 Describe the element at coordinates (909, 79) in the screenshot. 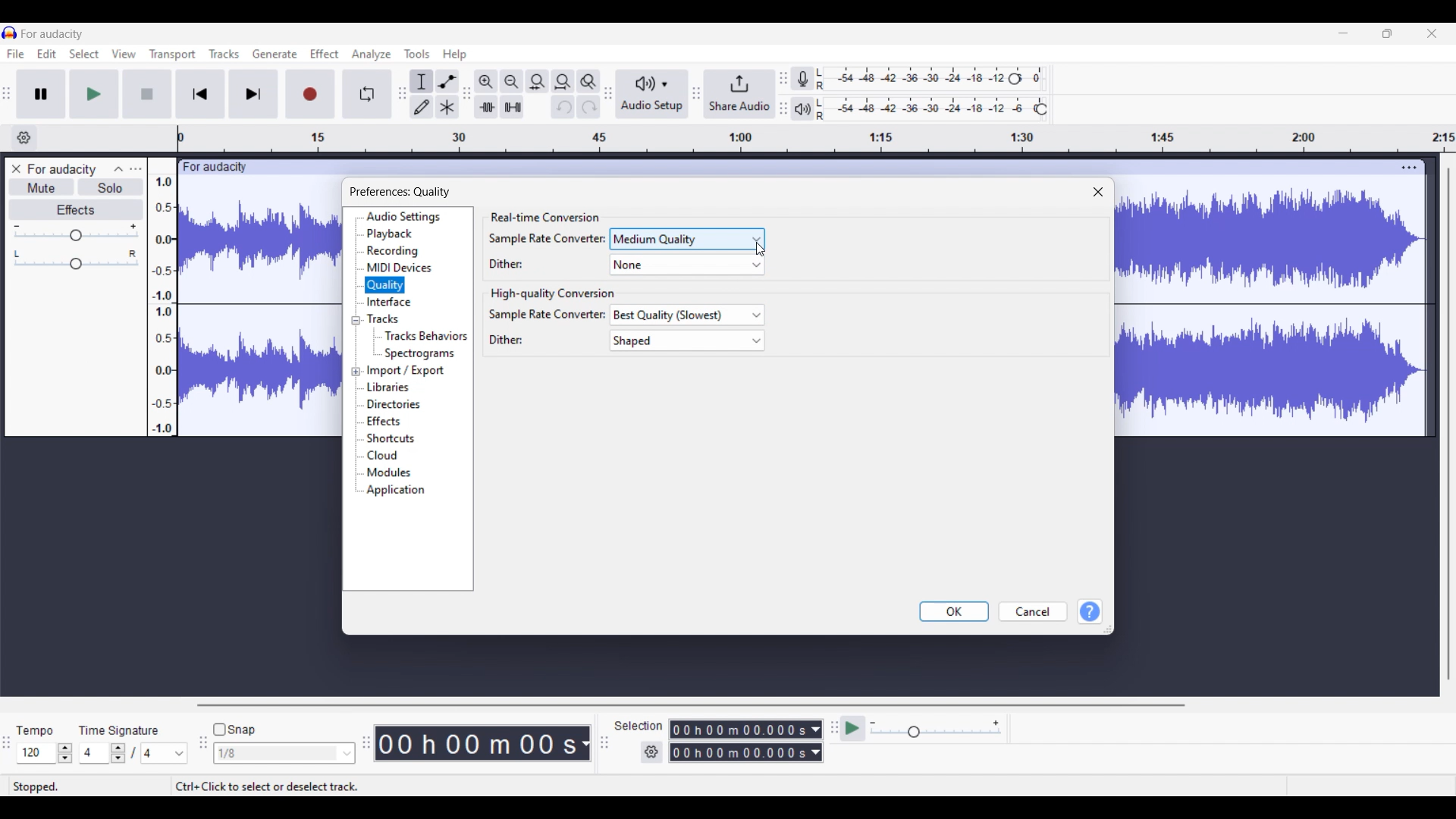

I see `Recording level` at that location.